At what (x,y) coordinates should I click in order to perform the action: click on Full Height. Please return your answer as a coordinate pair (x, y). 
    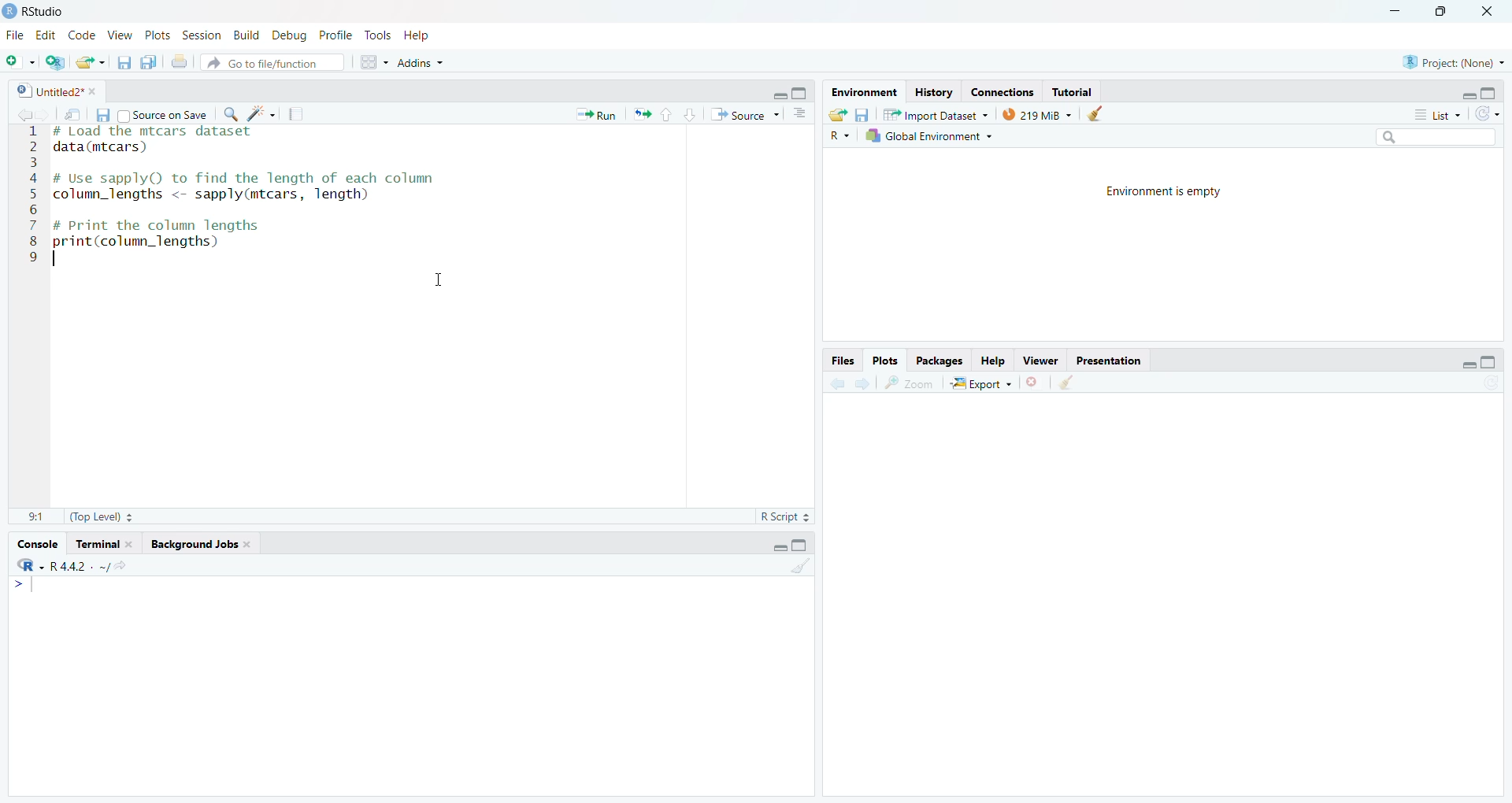
    Looking at the image, I should click on (800, 544).